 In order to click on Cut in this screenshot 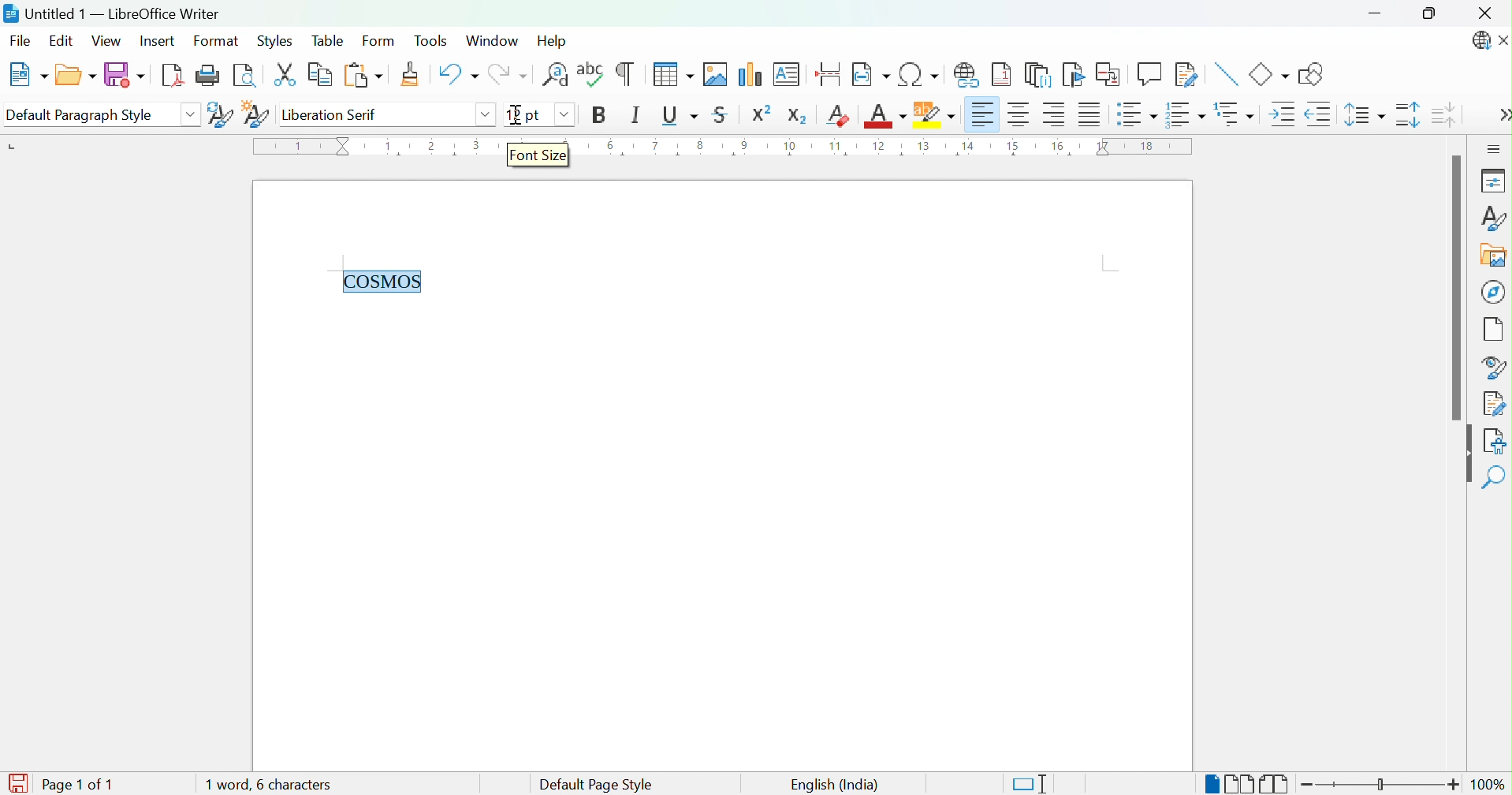, I will do `click(285, 75)`.